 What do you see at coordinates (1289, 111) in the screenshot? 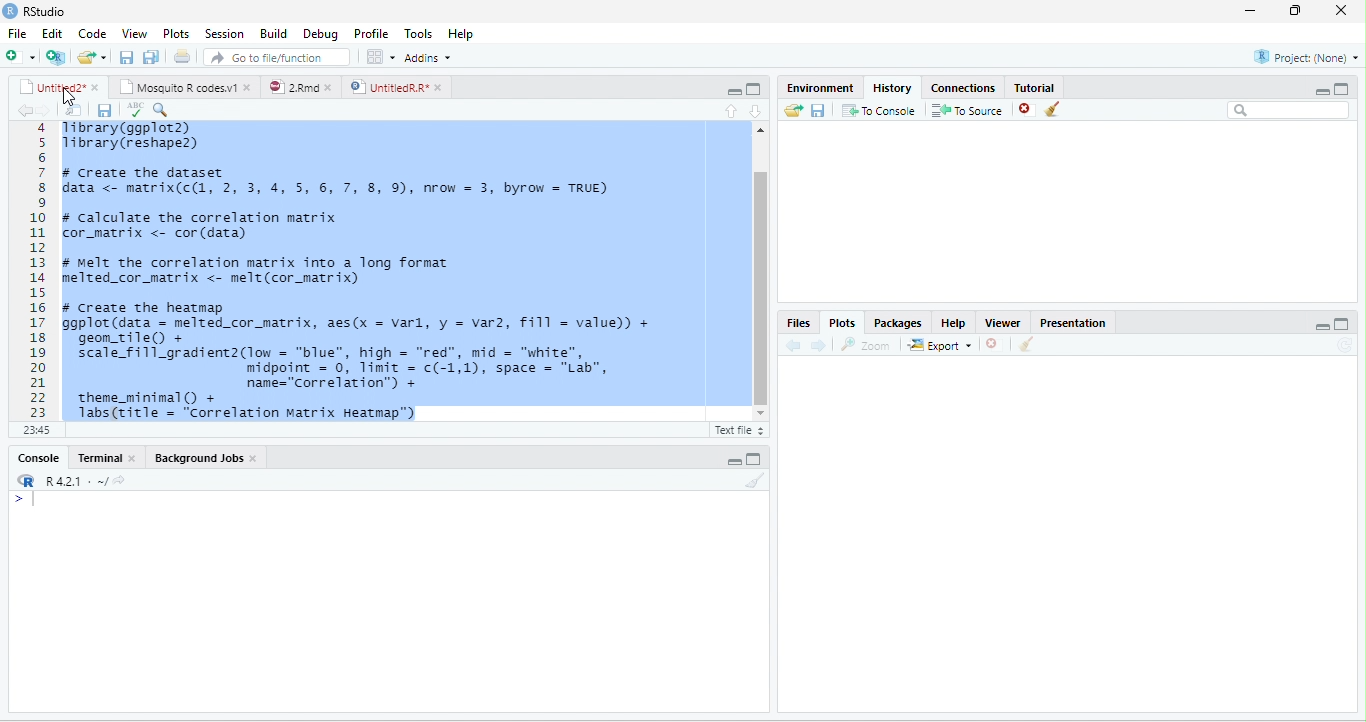
I see `search bar` at bounding box center [1289, 111].